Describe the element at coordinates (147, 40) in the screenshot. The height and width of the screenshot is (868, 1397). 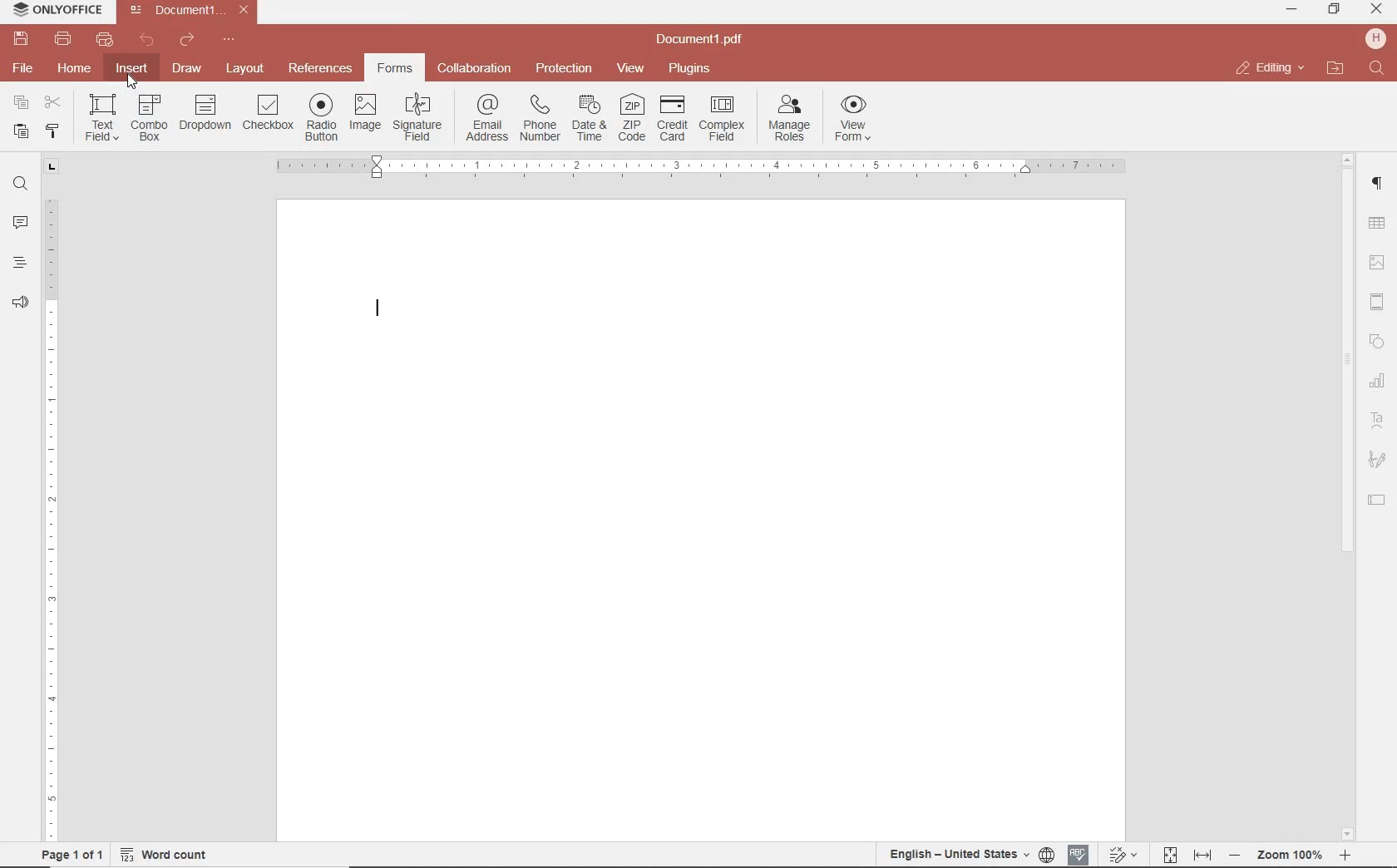
I see `undo` at that location.